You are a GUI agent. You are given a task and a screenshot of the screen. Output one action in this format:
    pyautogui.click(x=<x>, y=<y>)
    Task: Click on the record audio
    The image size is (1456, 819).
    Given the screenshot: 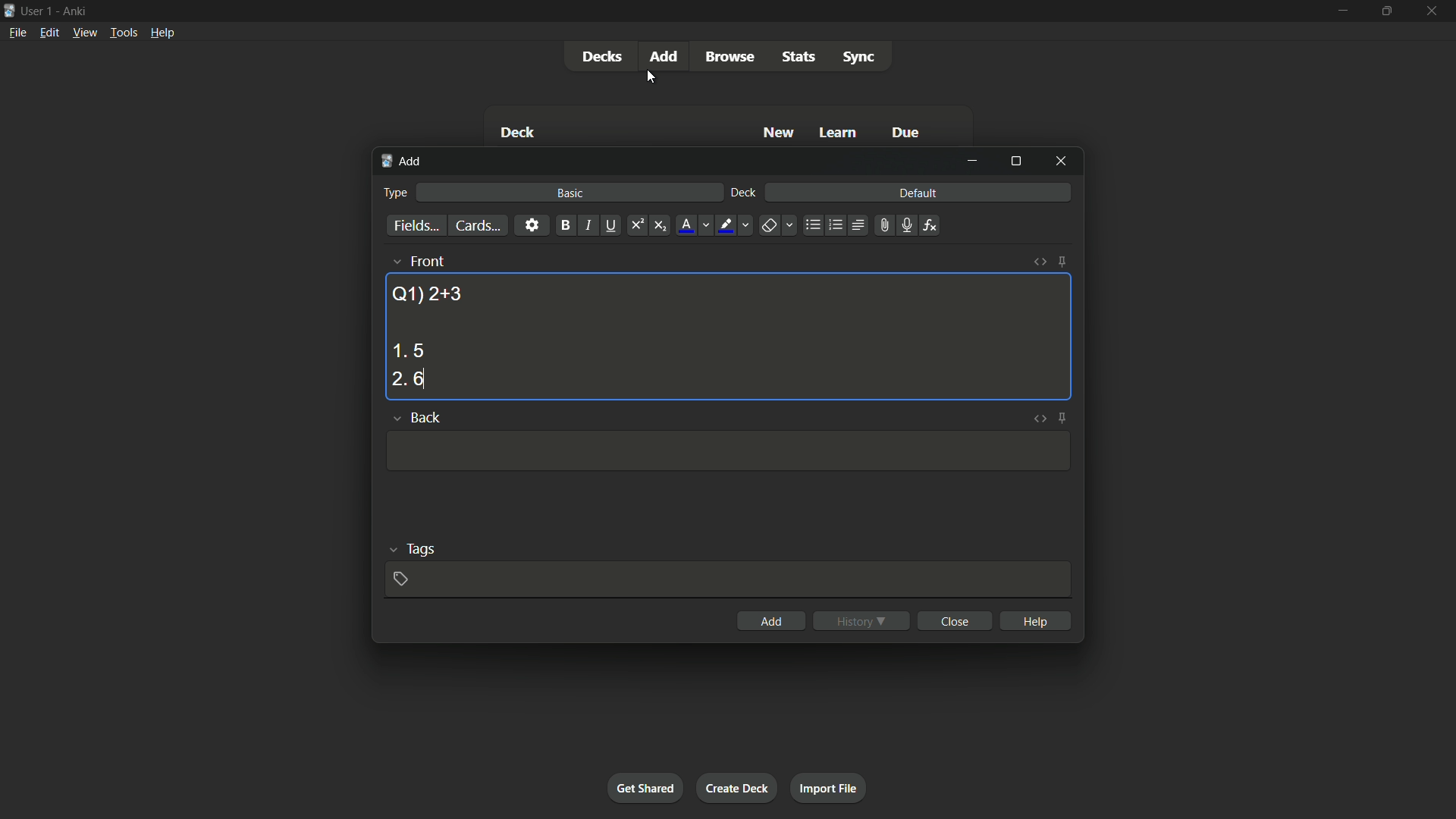 What is the action you would take?
    pyautogui.click(x=905, y=226)
    